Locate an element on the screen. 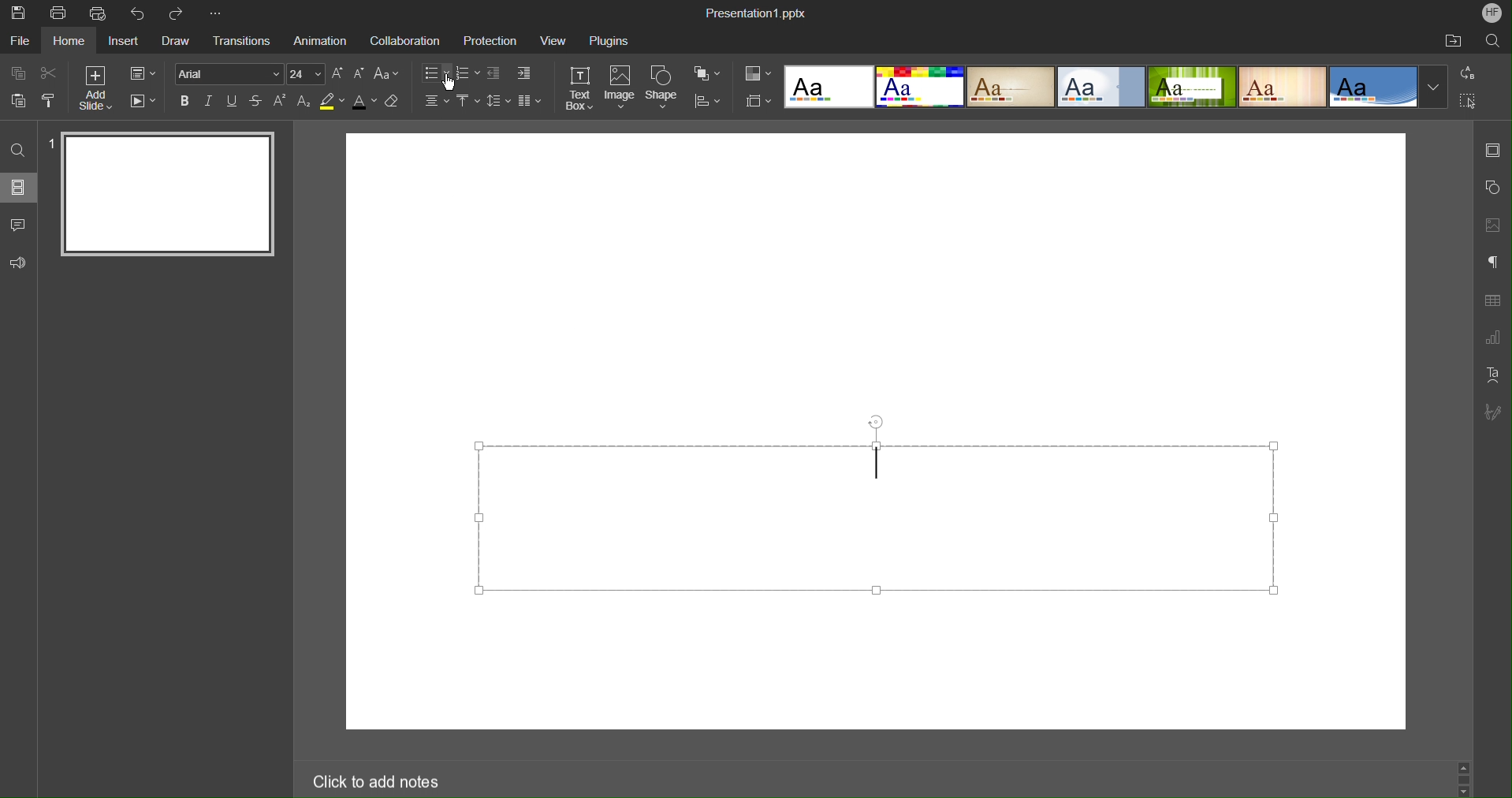 The image size is (1512, 798). Comment is located at coordinates (19, 225).